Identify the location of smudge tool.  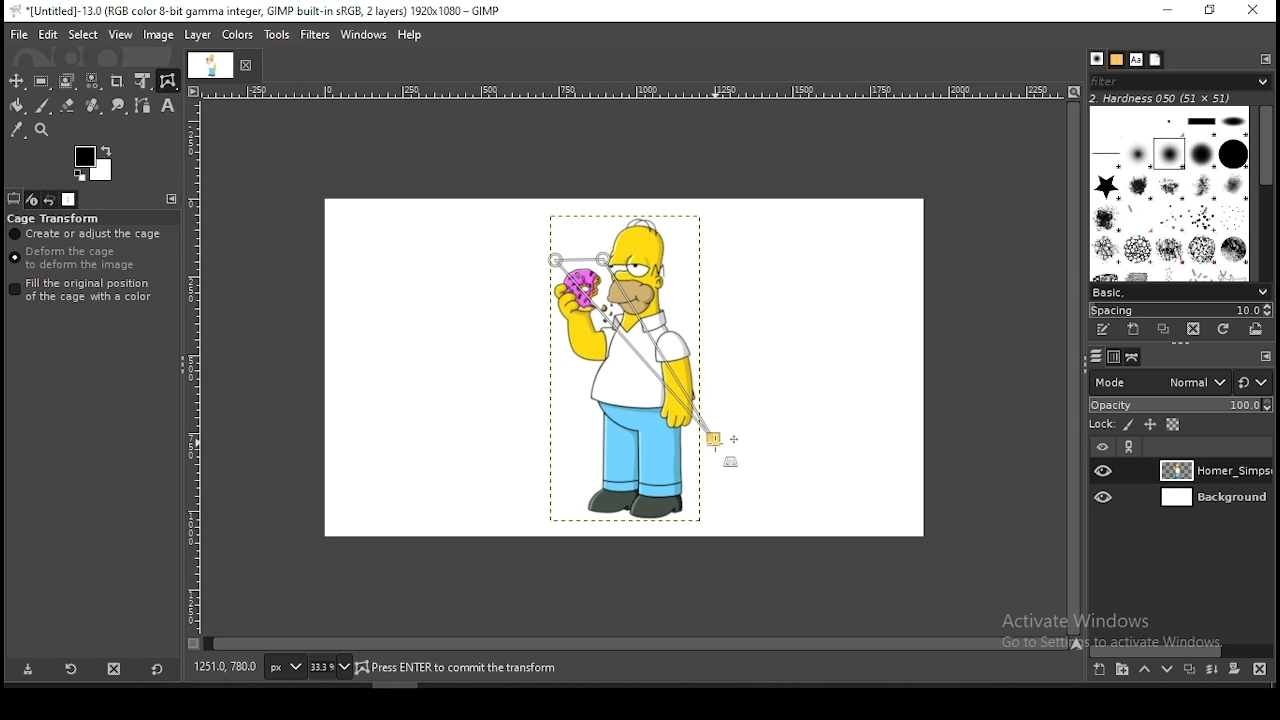
(117, 105).